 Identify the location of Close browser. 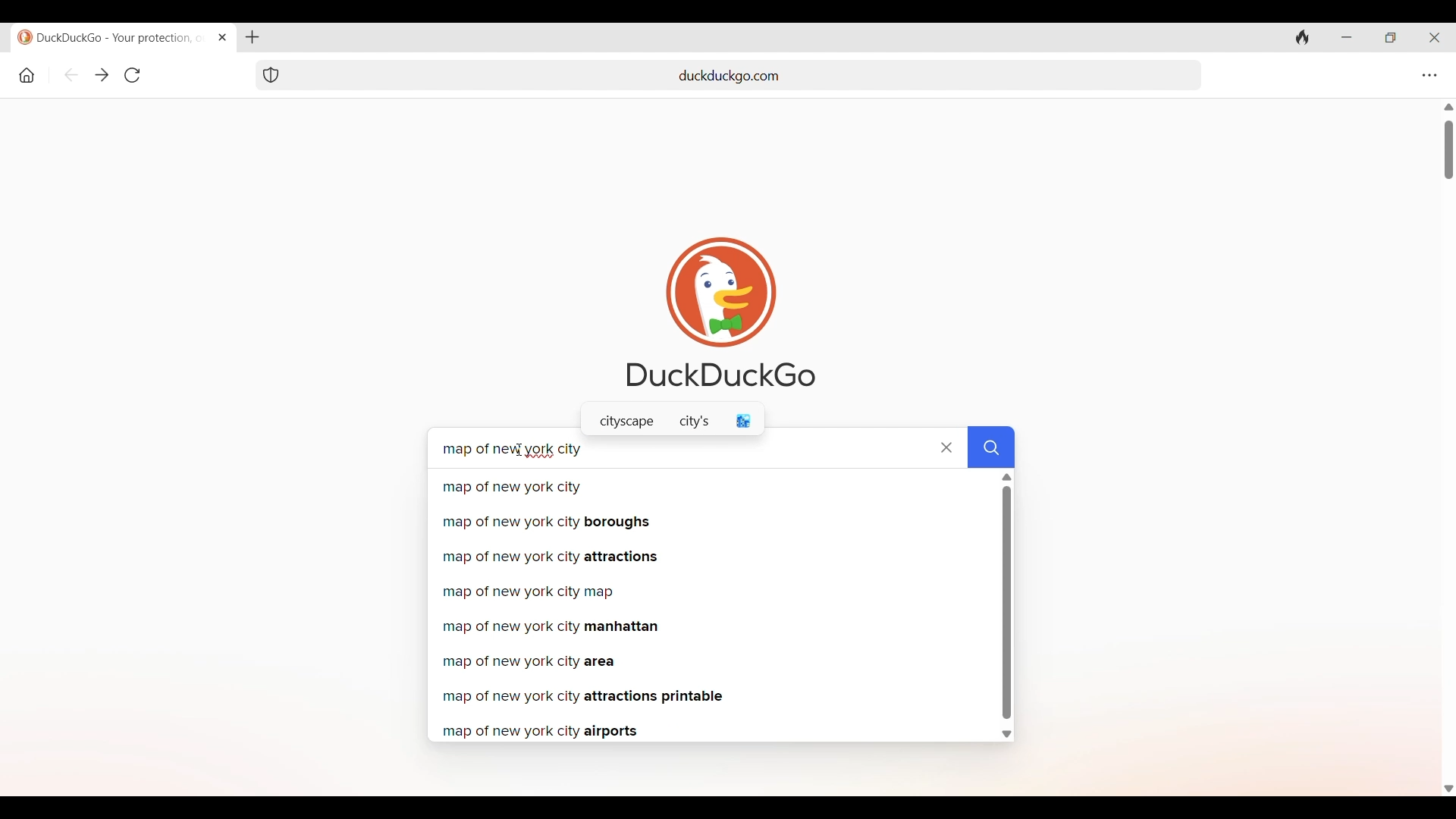
(1434, 38).